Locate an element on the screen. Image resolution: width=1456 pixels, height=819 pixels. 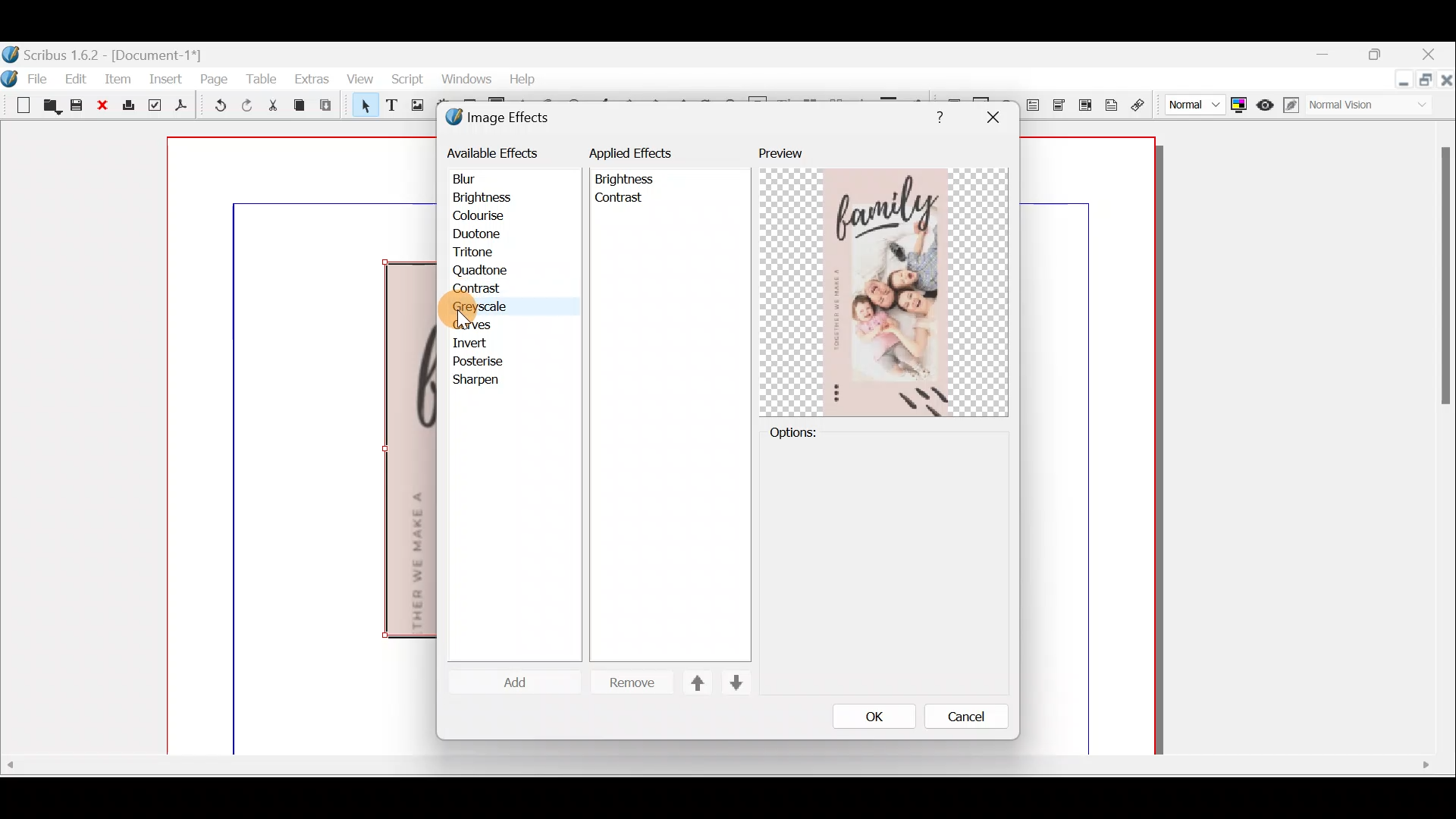
Close is located at coordinates (102, 108).